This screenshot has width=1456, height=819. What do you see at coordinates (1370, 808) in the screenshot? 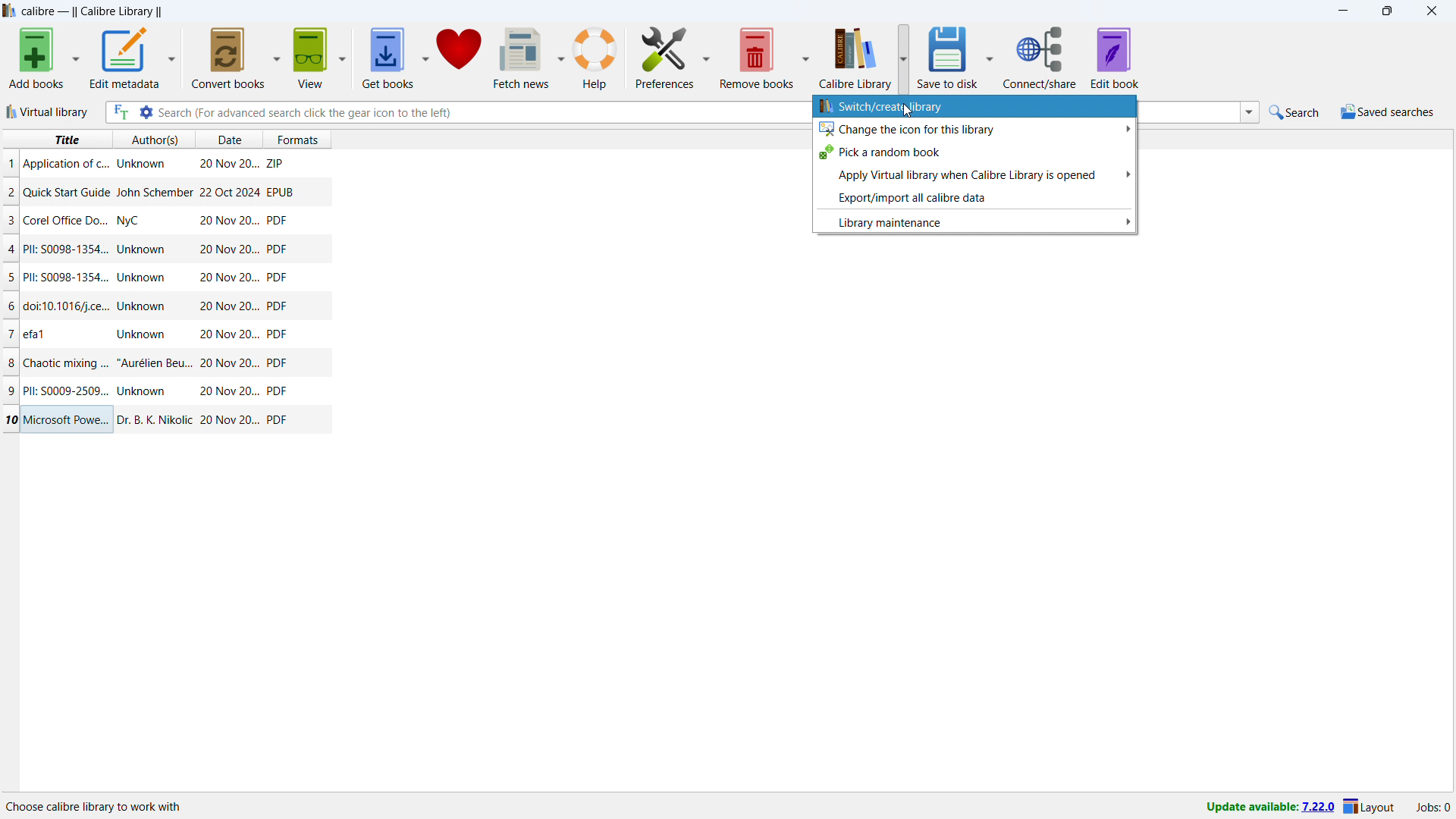
I see `layout` at bounding box center [1370, 808].